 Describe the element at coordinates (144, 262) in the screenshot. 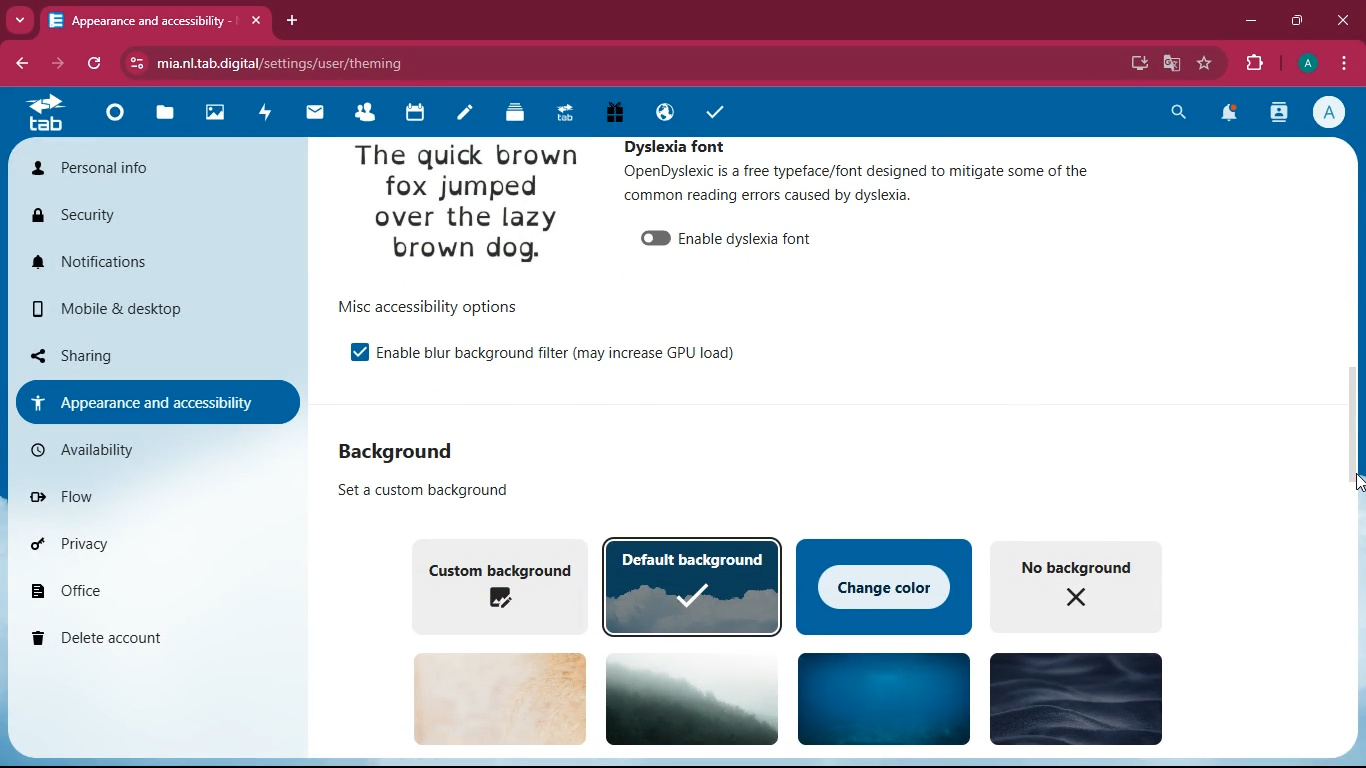

I see `notifications` at that location.